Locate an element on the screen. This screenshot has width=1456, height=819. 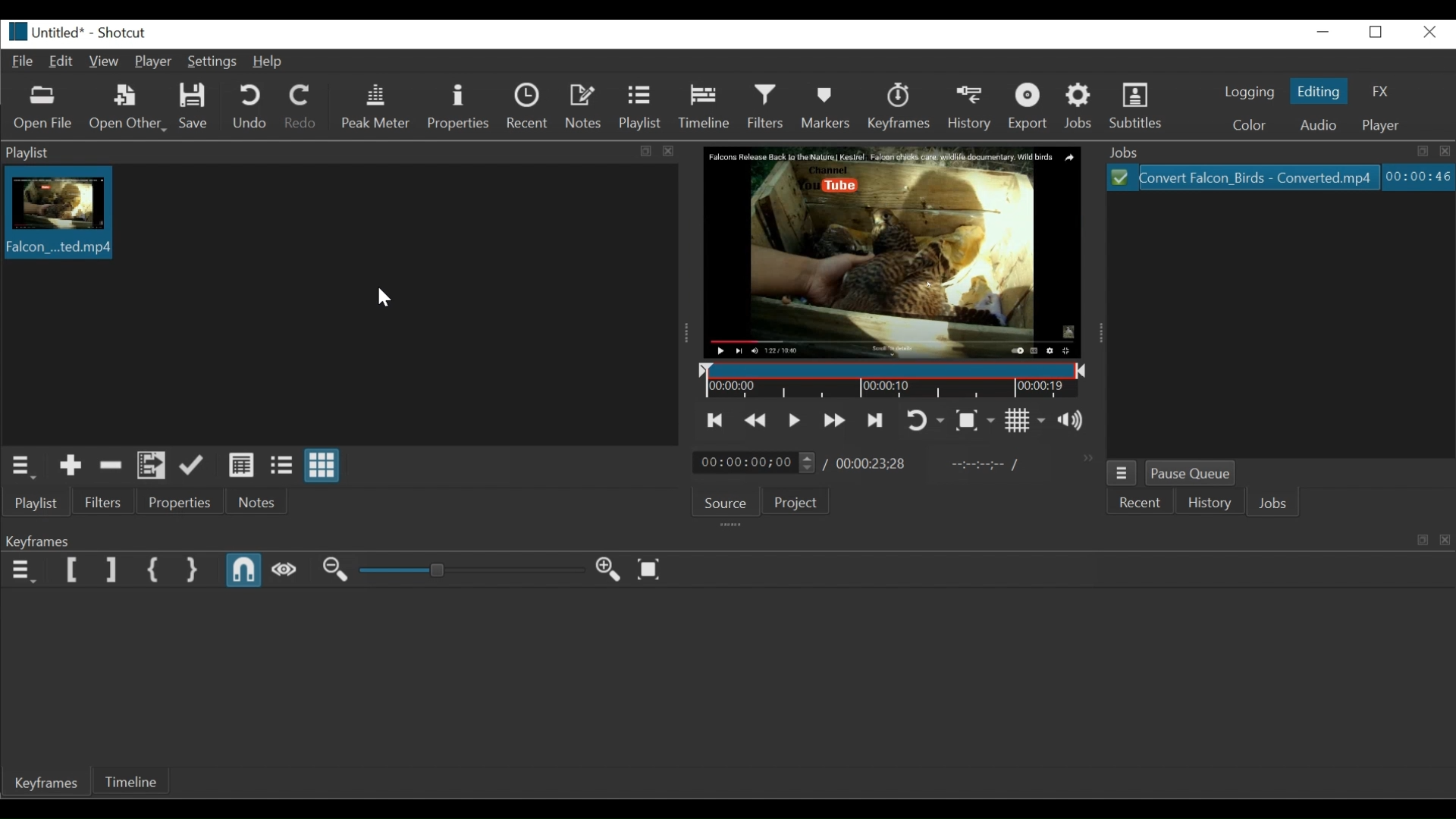
View as files is located at coordinates (283, 464).